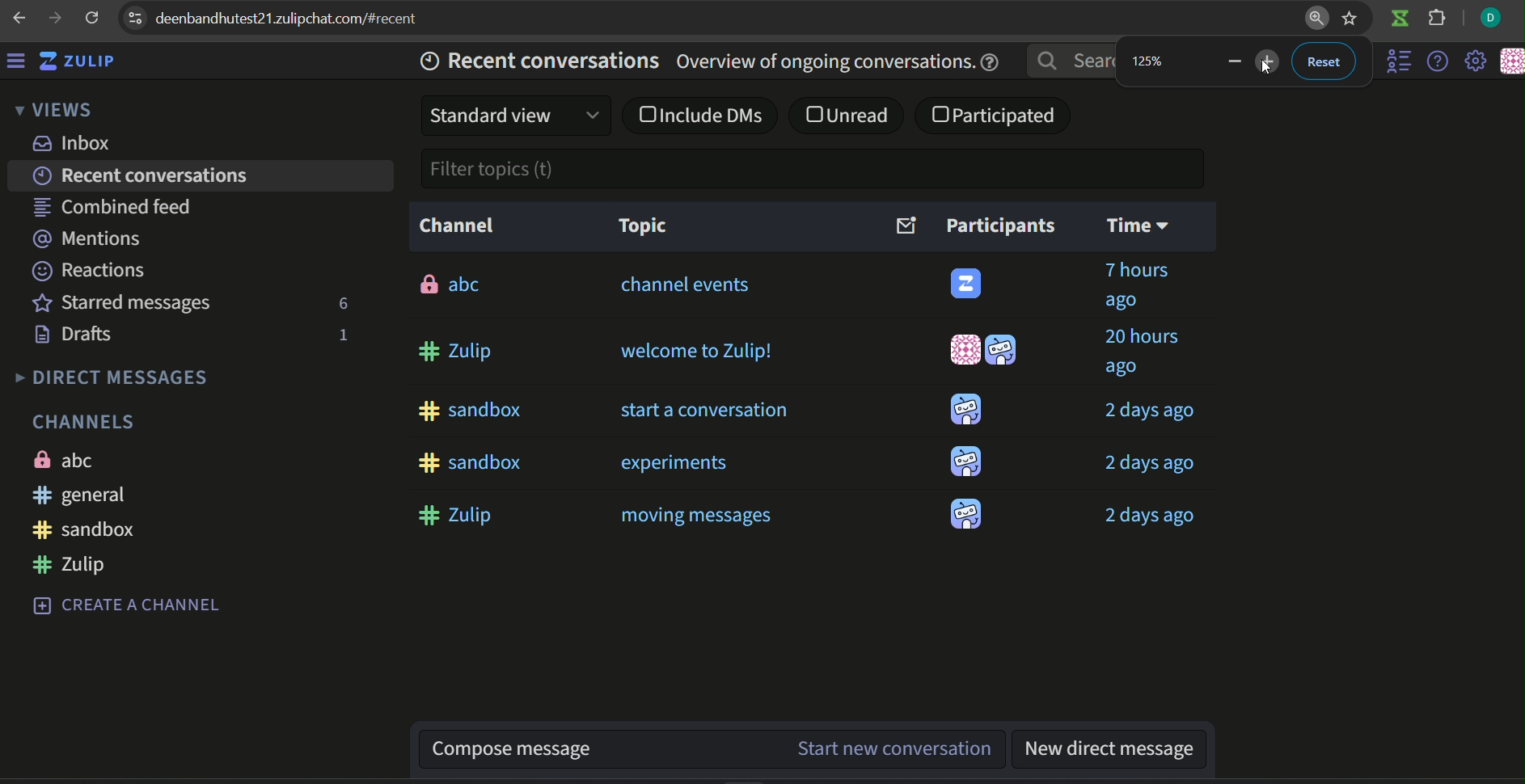 Image resolution: width=1525 pixels, height=784 pixels. I want to click on number, so click(341, 302).